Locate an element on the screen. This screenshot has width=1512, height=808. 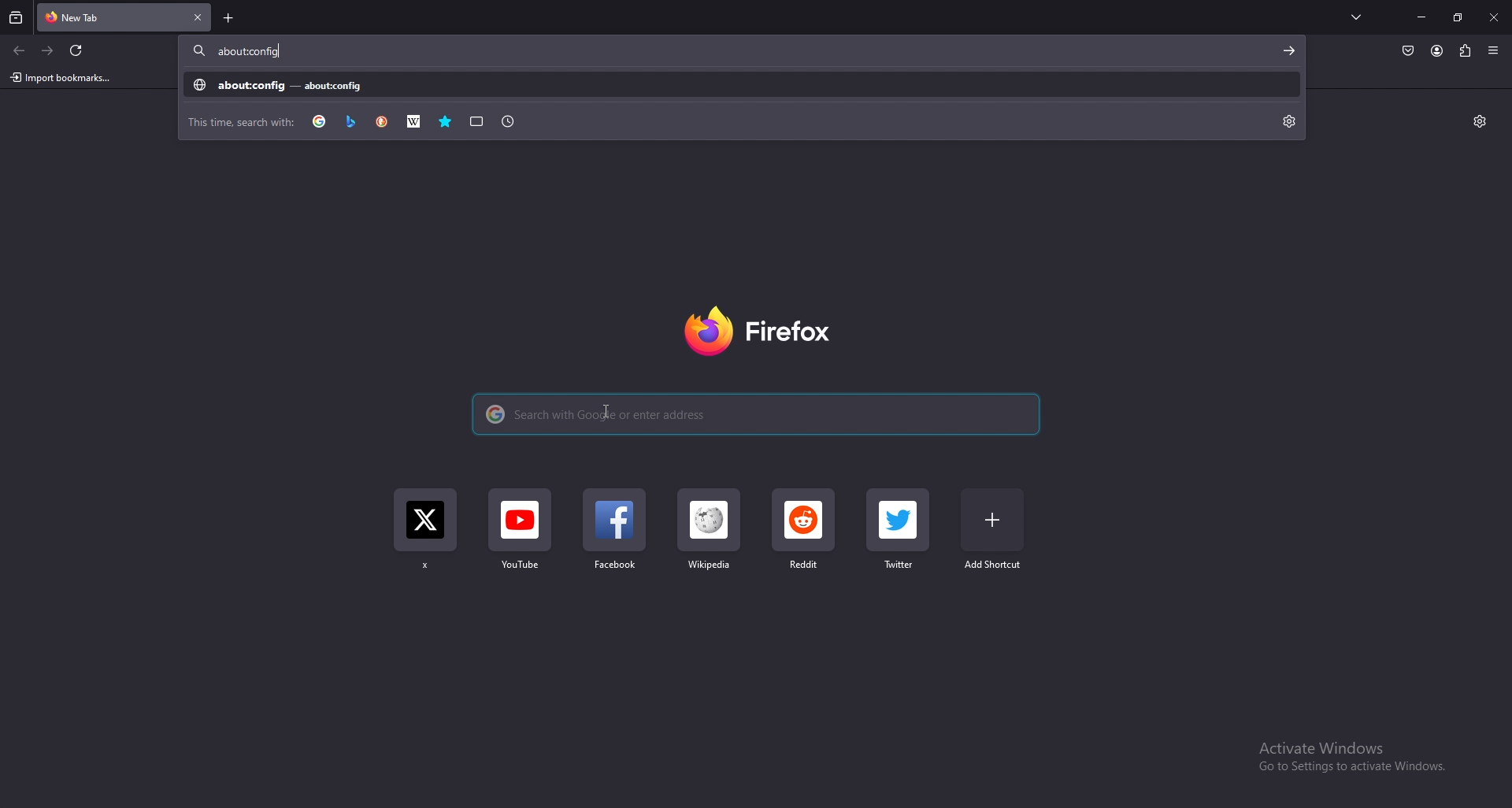
google is located at coordinates (320, 120).